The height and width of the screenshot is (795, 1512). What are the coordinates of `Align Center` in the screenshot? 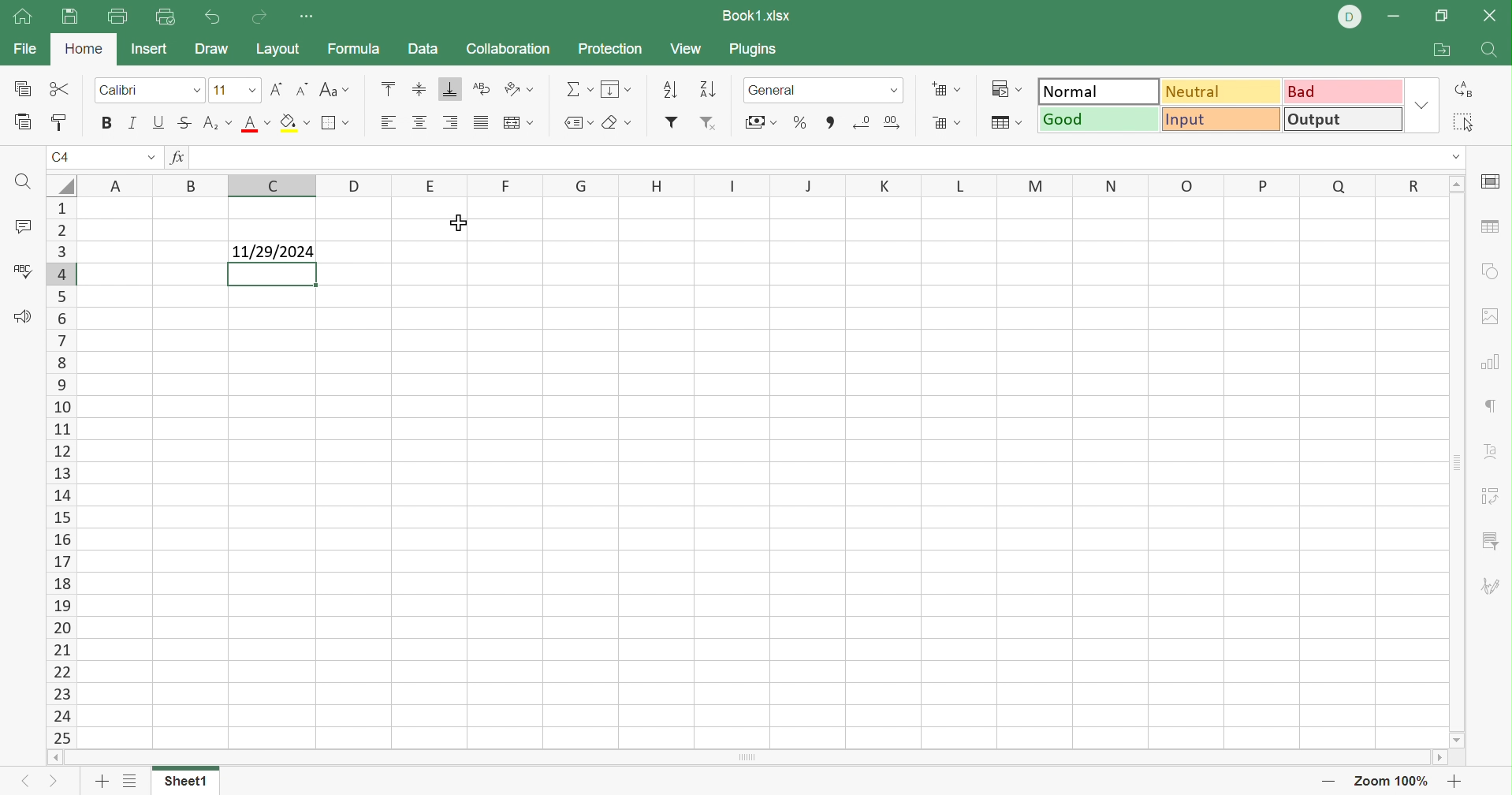 It's located at (420, 124).